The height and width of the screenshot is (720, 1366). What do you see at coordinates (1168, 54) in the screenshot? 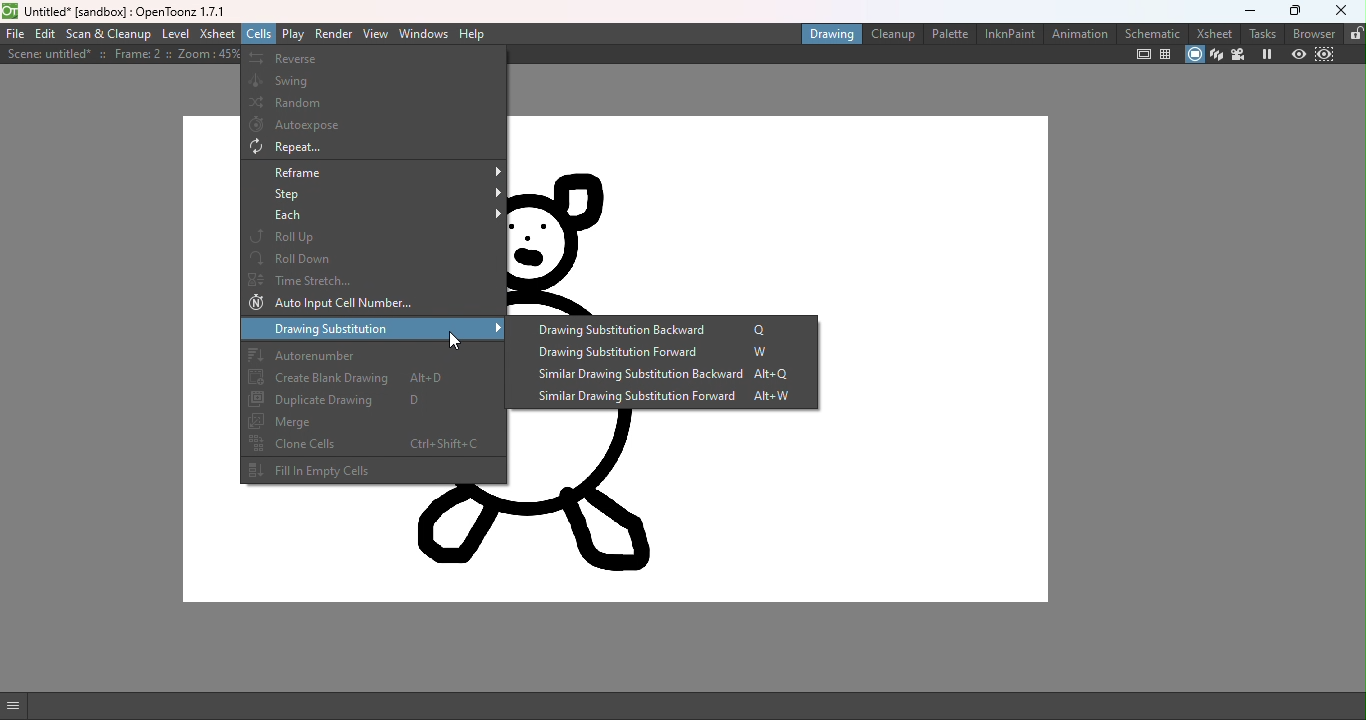
I see `Field guide` at bounding box center [1168, 54].